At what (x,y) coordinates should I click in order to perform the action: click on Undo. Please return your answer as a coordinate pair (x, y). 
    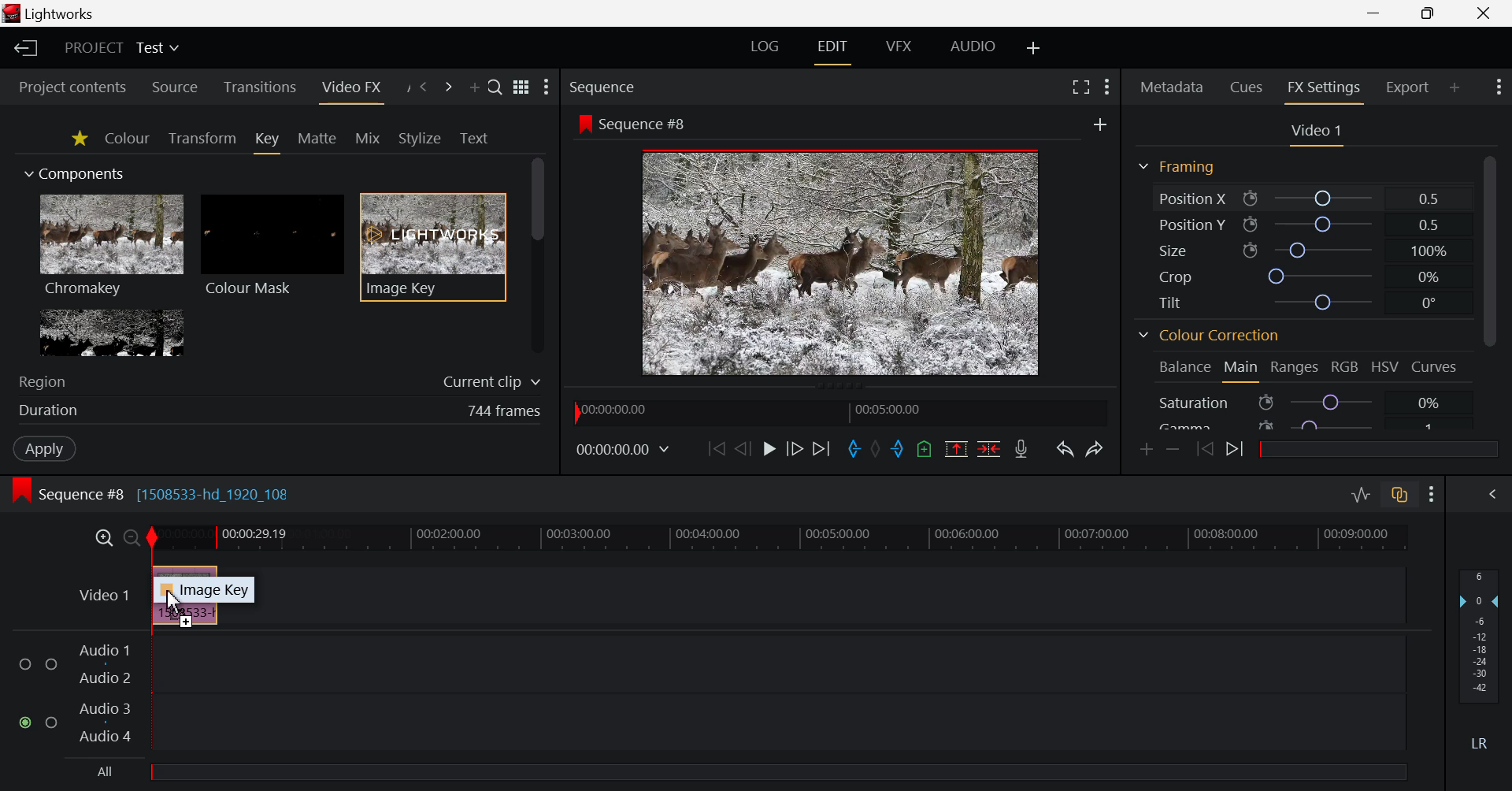
    Looking at the image, I should click on (1067, 448).